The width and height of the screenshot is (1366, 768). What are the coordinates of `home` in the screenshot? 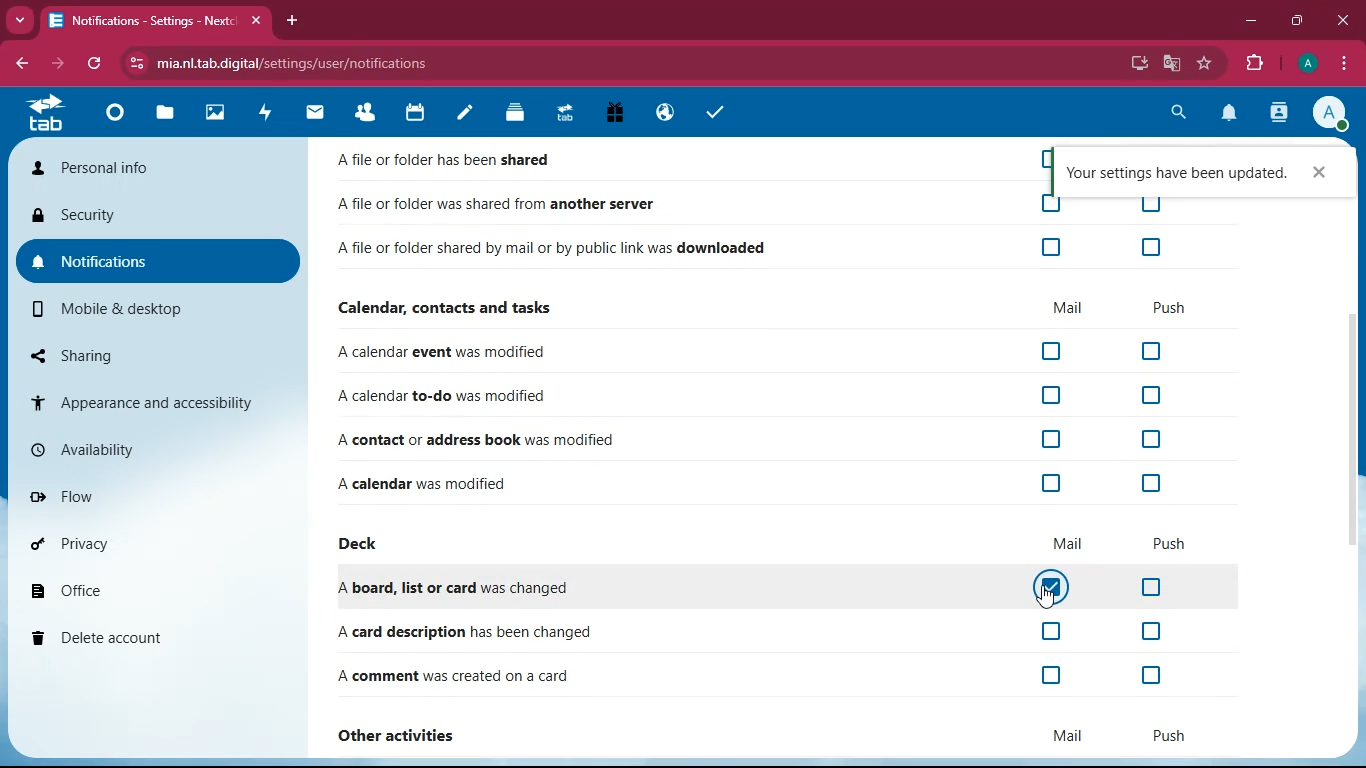 It's located at (44, 112).